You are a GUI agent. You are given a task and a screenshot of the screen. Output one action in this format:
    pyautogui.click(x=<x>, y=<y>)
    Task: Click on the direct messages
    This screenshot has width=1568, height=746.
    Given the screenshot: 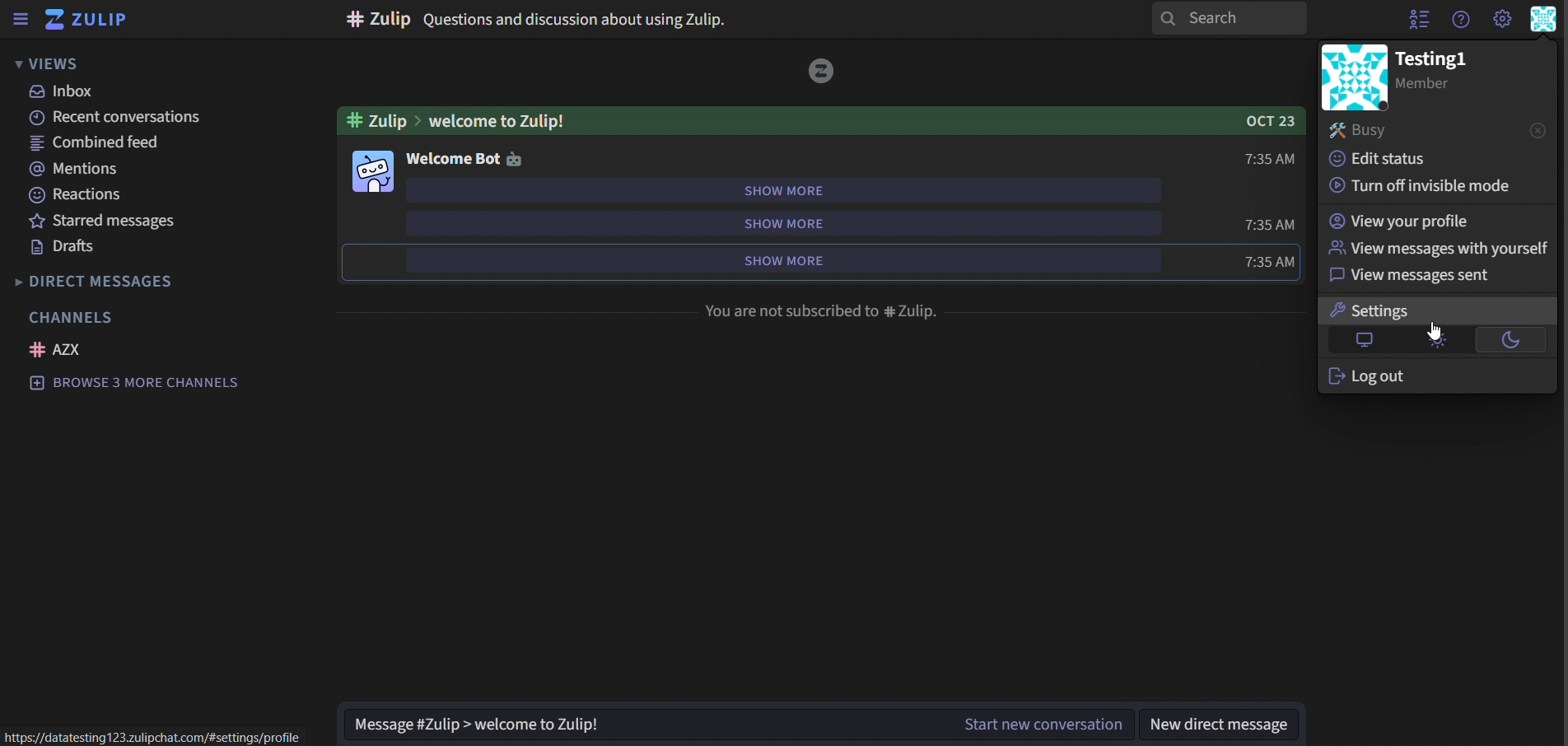 What is the action you would take?
    pyautogui.click(x=118, y=280)
    